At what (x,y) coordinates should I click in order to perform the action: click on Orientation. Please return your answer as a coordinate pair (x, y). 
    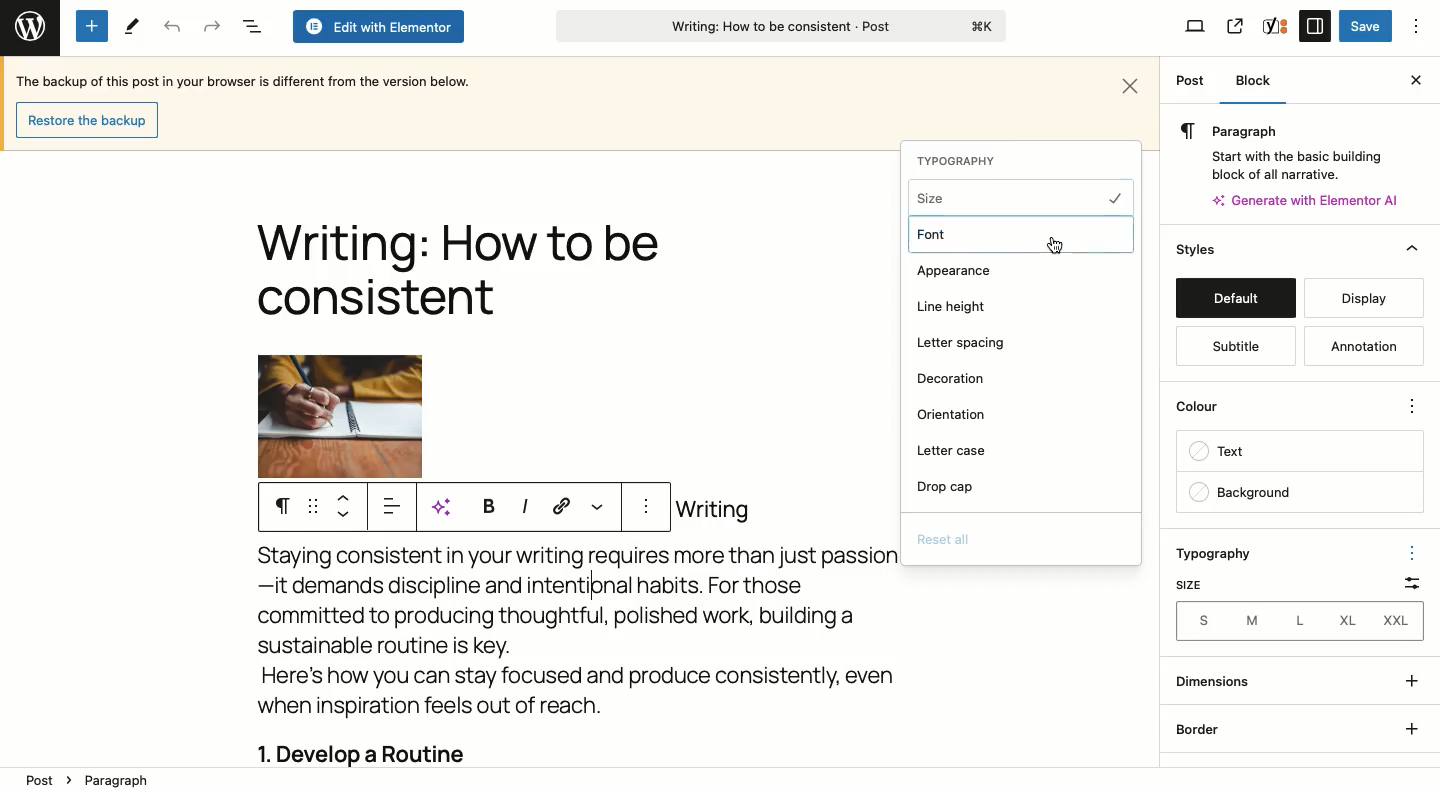
    Looking at the image, I should click on (955, 414).